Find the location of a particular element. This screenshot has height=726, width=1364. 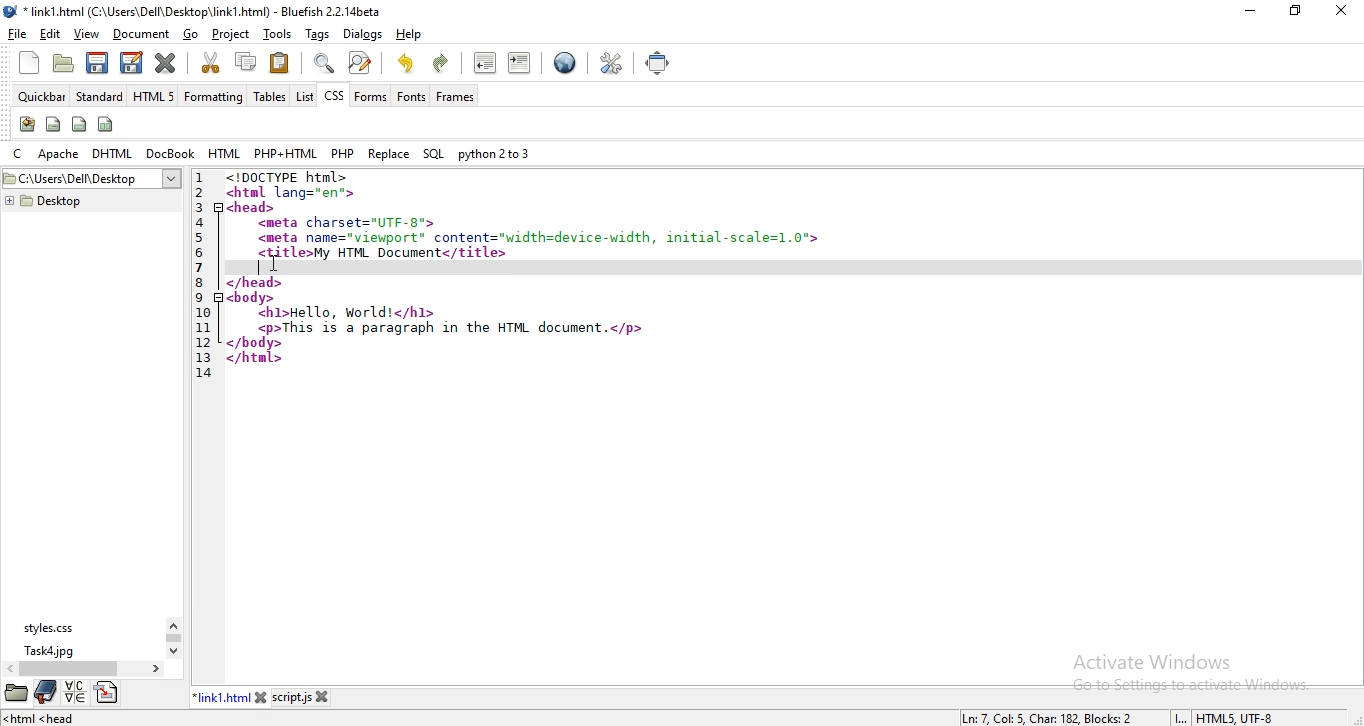

9 is located at coordinates (199, 298).